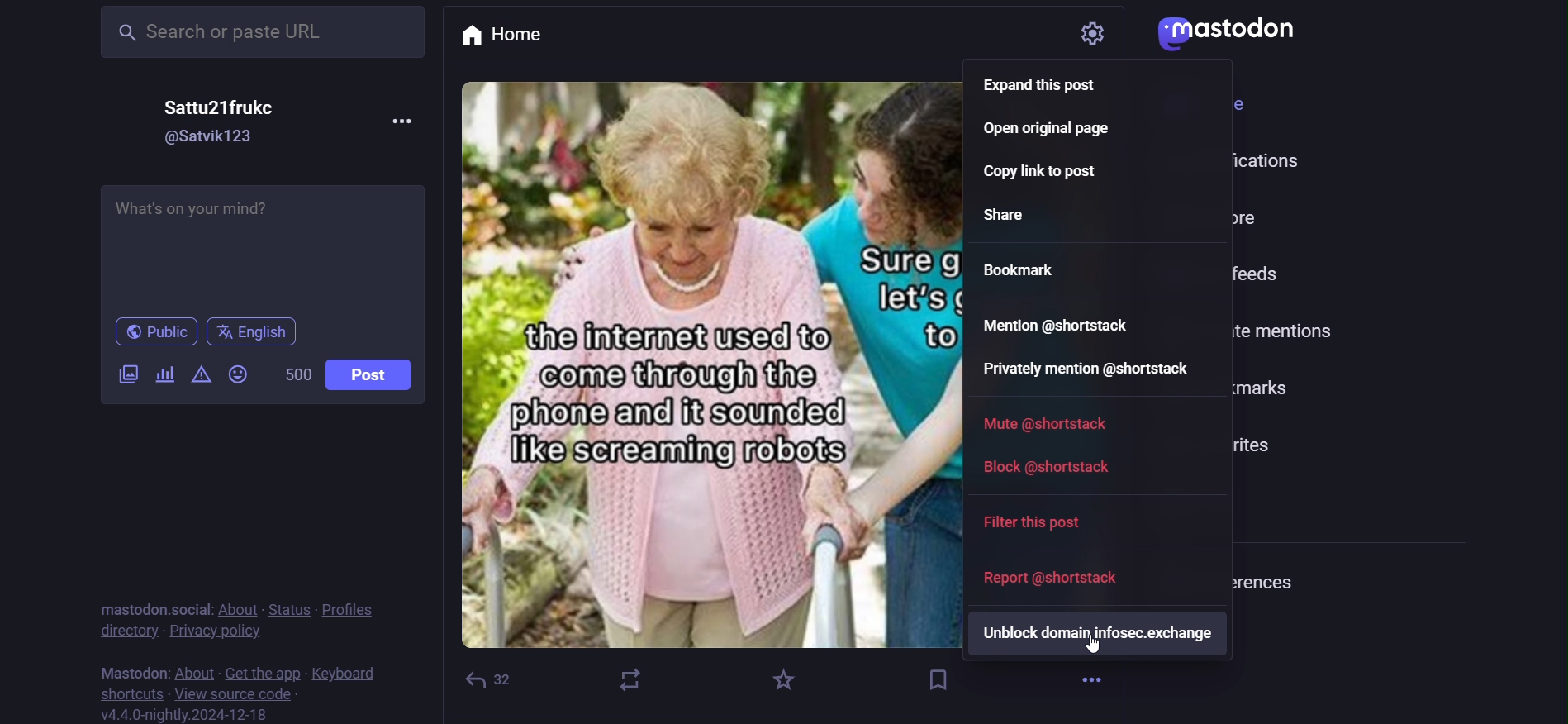  What do you see at coordinates (136, 672) in the screenshot?
I see `mastodon` at bounding box center [136, 672].